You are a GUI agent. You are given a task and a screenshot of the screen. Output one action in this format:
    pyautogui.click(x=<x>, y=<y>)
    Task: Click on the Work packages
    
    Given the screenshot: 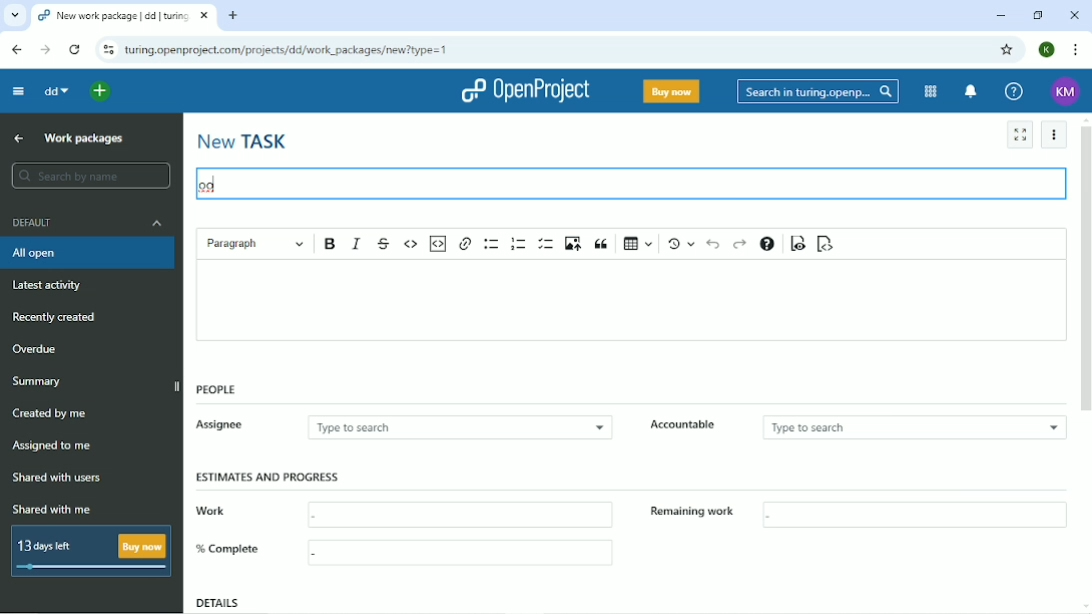 What is the action you would take?
    pyautogui.click(x=83, y=138)
    